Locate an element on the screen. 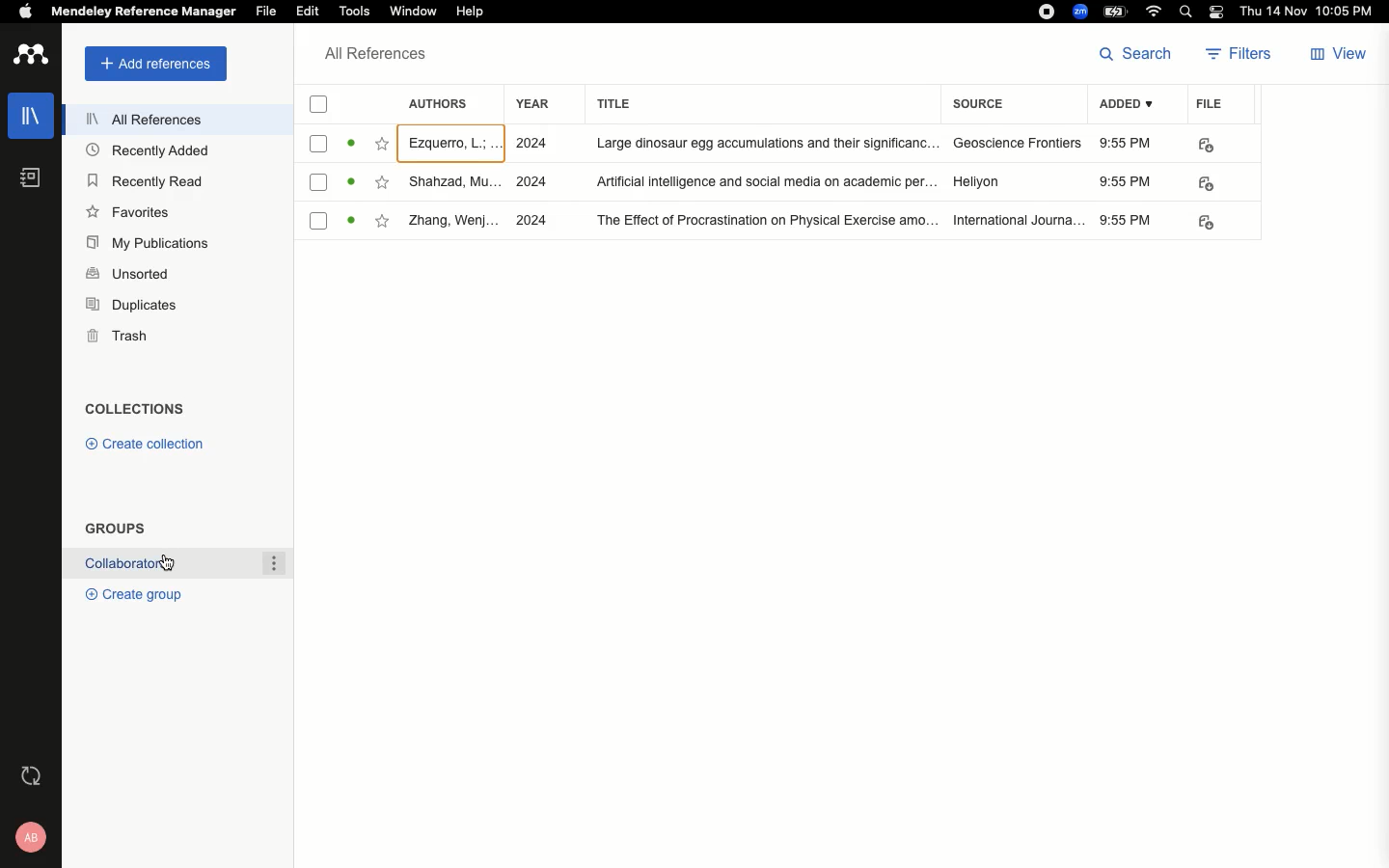 The height and width of the screenshot is (868, 1389). Logo is located at coordinates (33, 56).